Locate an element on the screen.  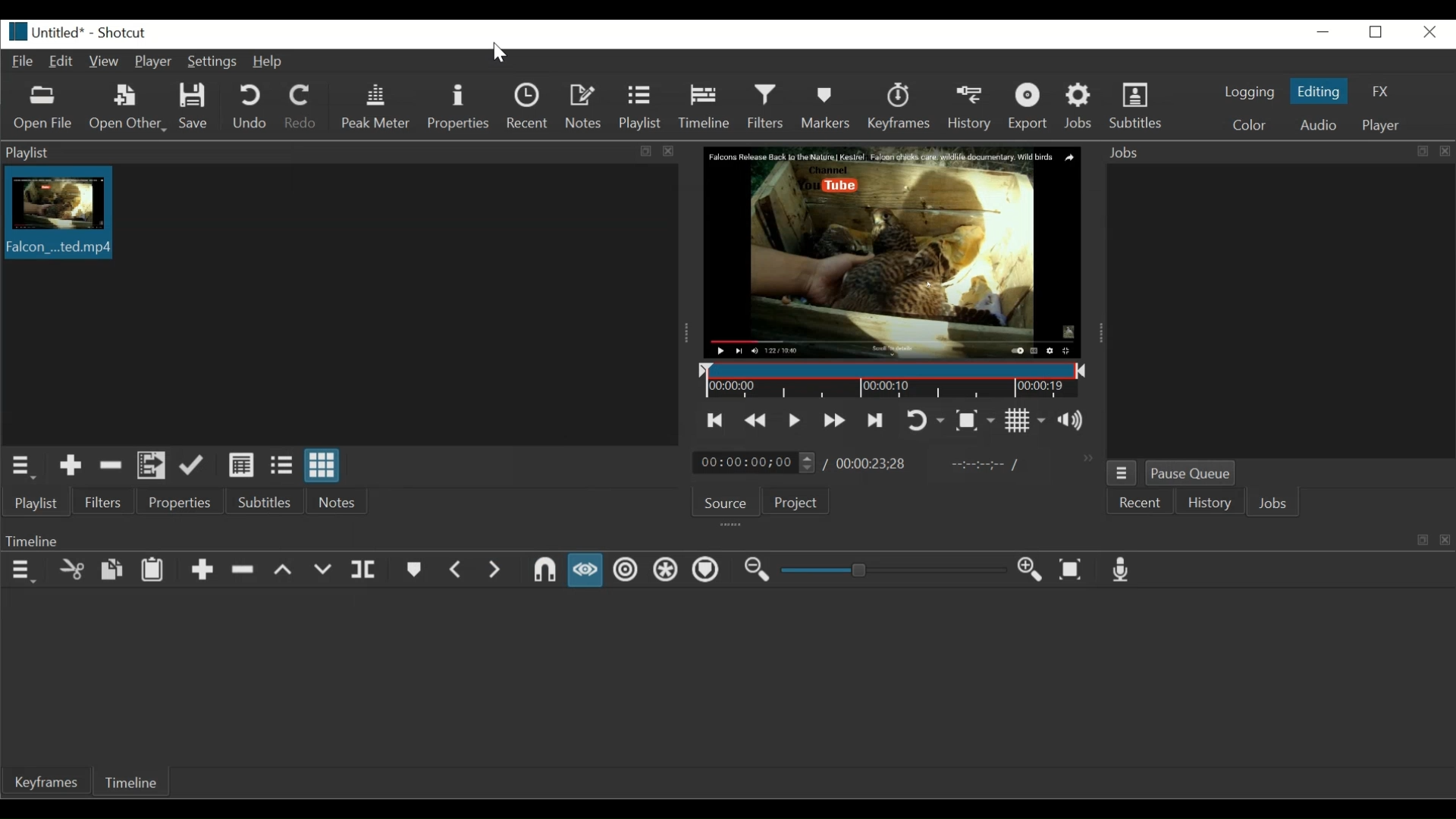
Subtitles is located at coordinates (1144, 108).